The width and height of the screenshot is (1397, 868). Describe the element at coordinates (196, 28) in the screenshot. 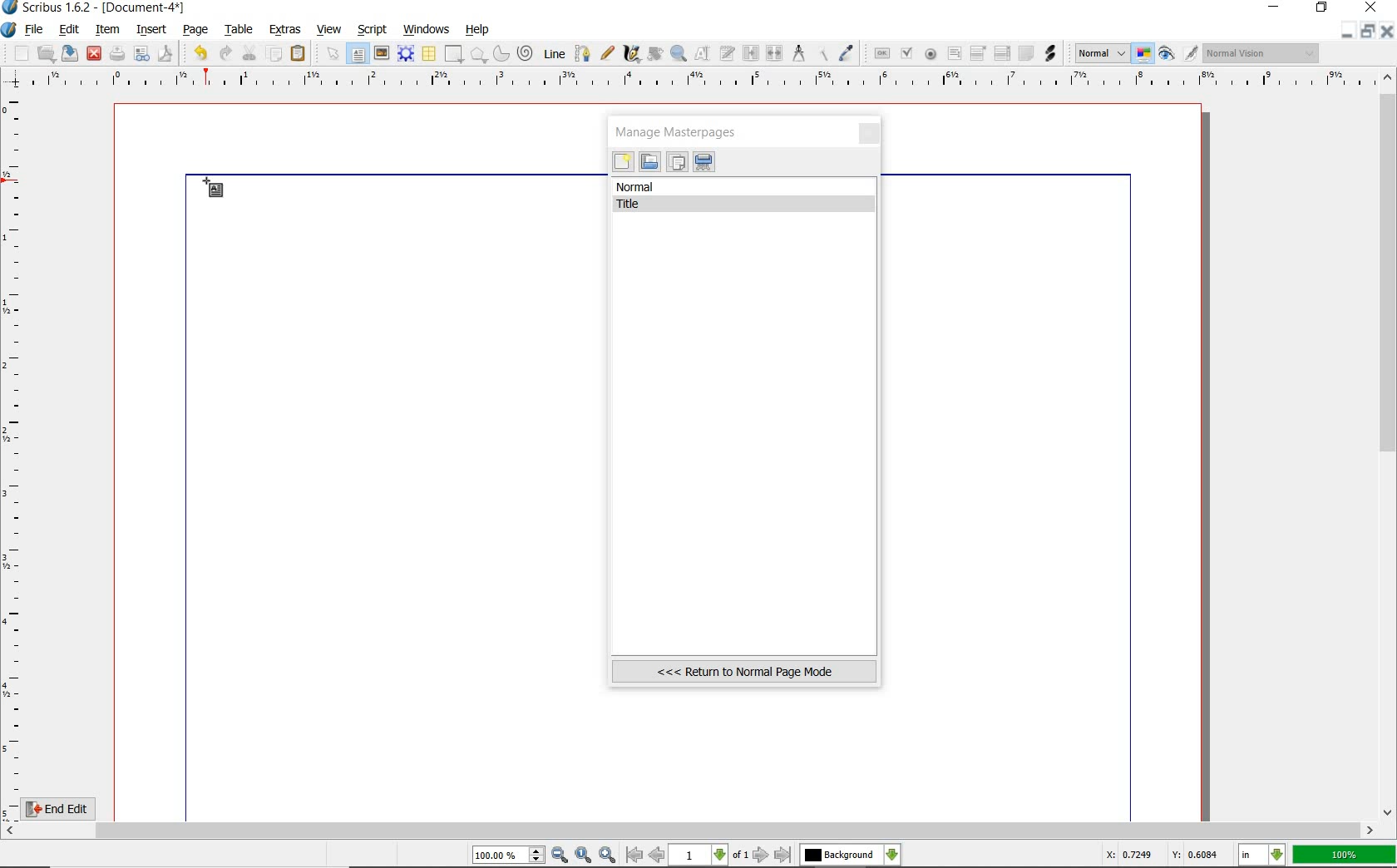

I see `page` at that location.